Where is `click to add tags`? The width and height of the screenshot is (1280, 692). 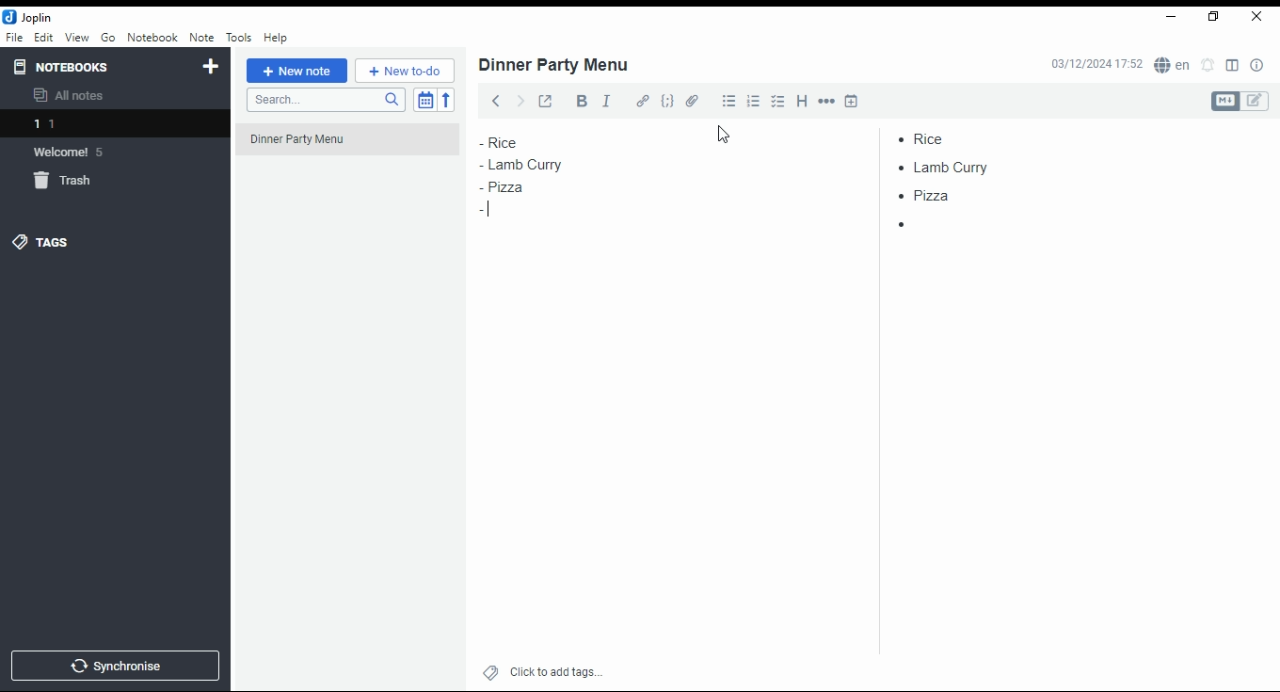 click to add tags is located at coordinates (554, 671).